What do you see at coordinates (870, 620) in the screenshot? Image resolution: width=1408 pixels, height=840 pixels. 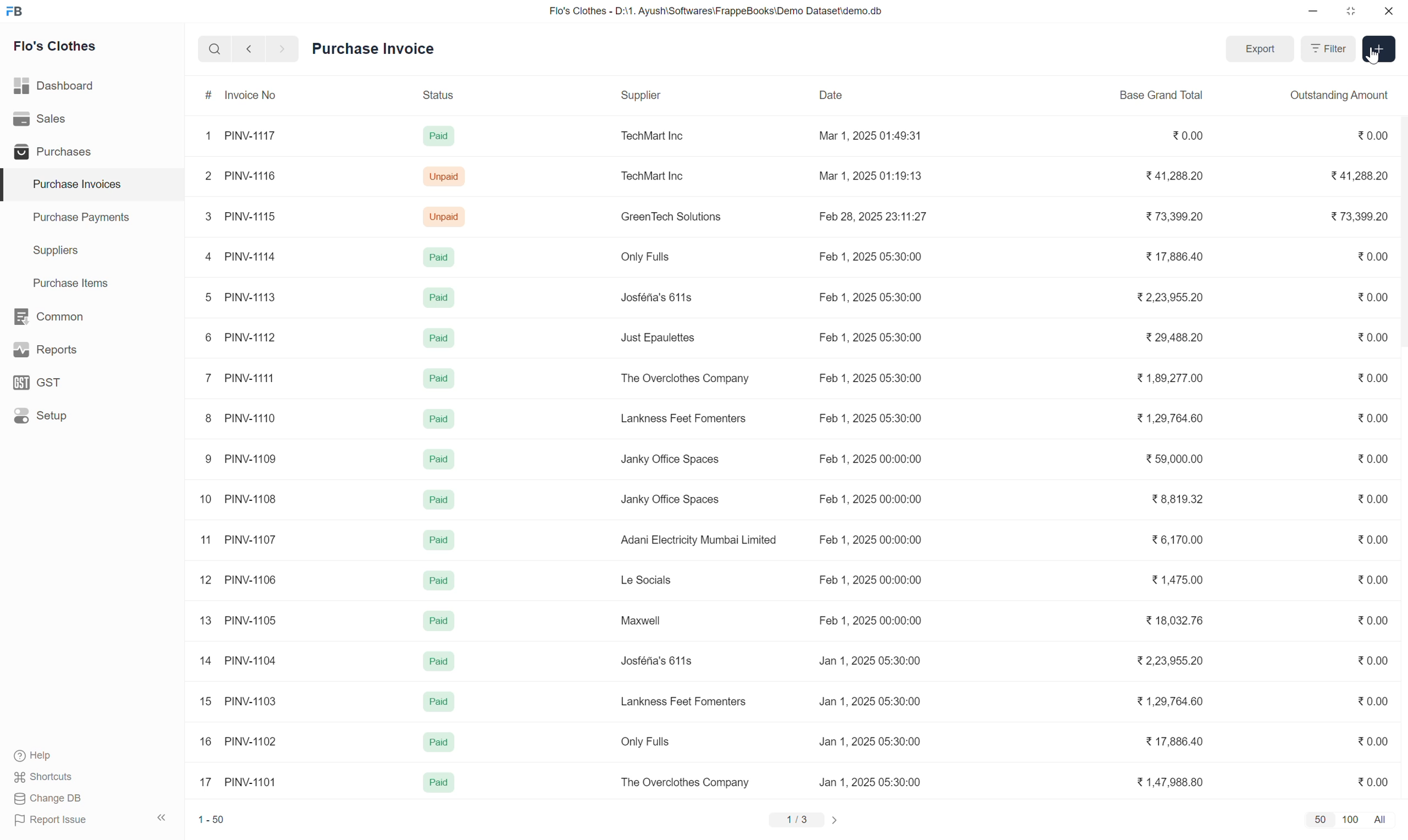 I see `Feb 1, 2025 00:00:00` at bounding box center [870, 620].